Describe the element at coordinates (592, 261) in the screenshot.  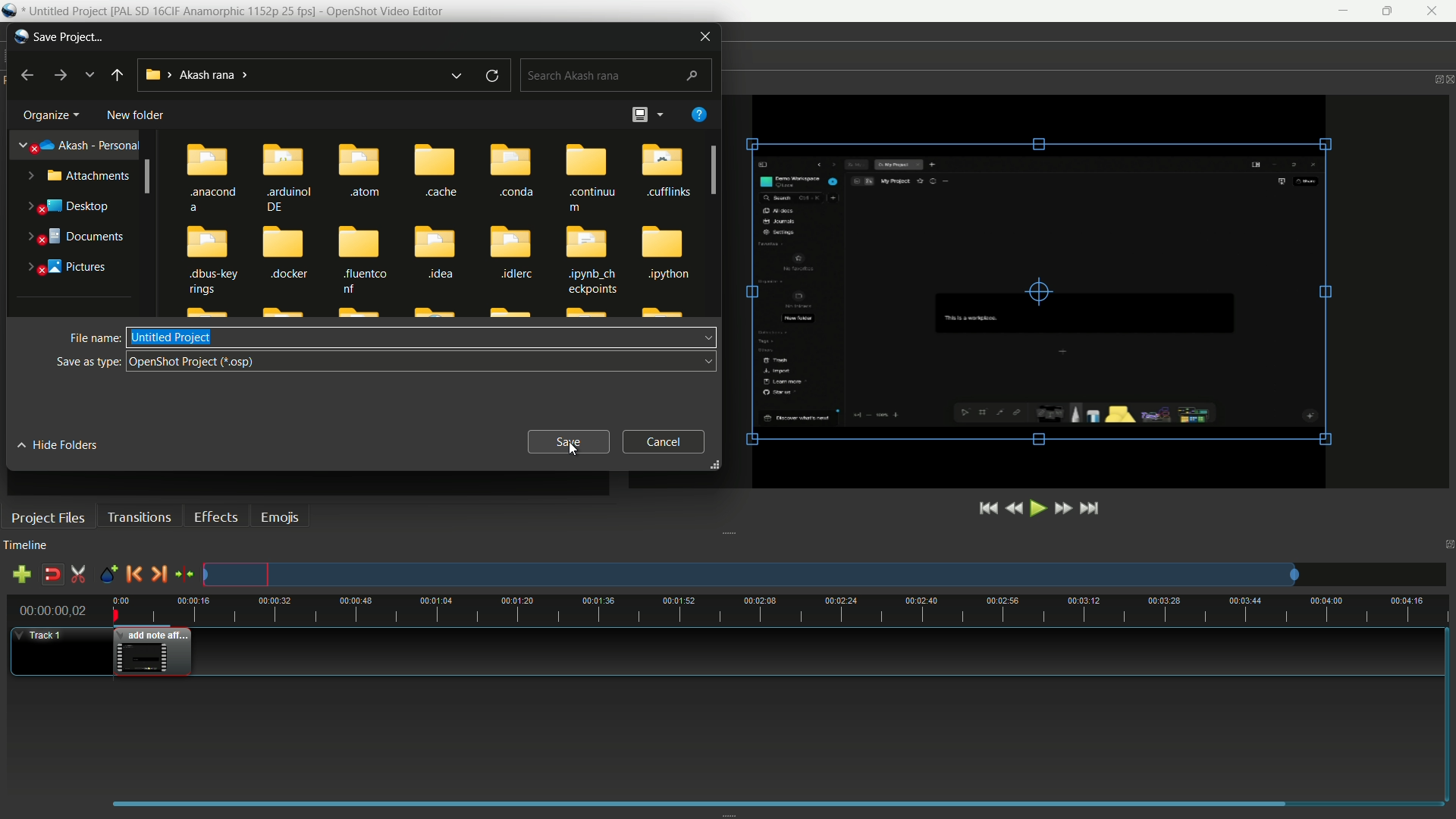
I see `dipynb_ch
eckpoints` at that location.